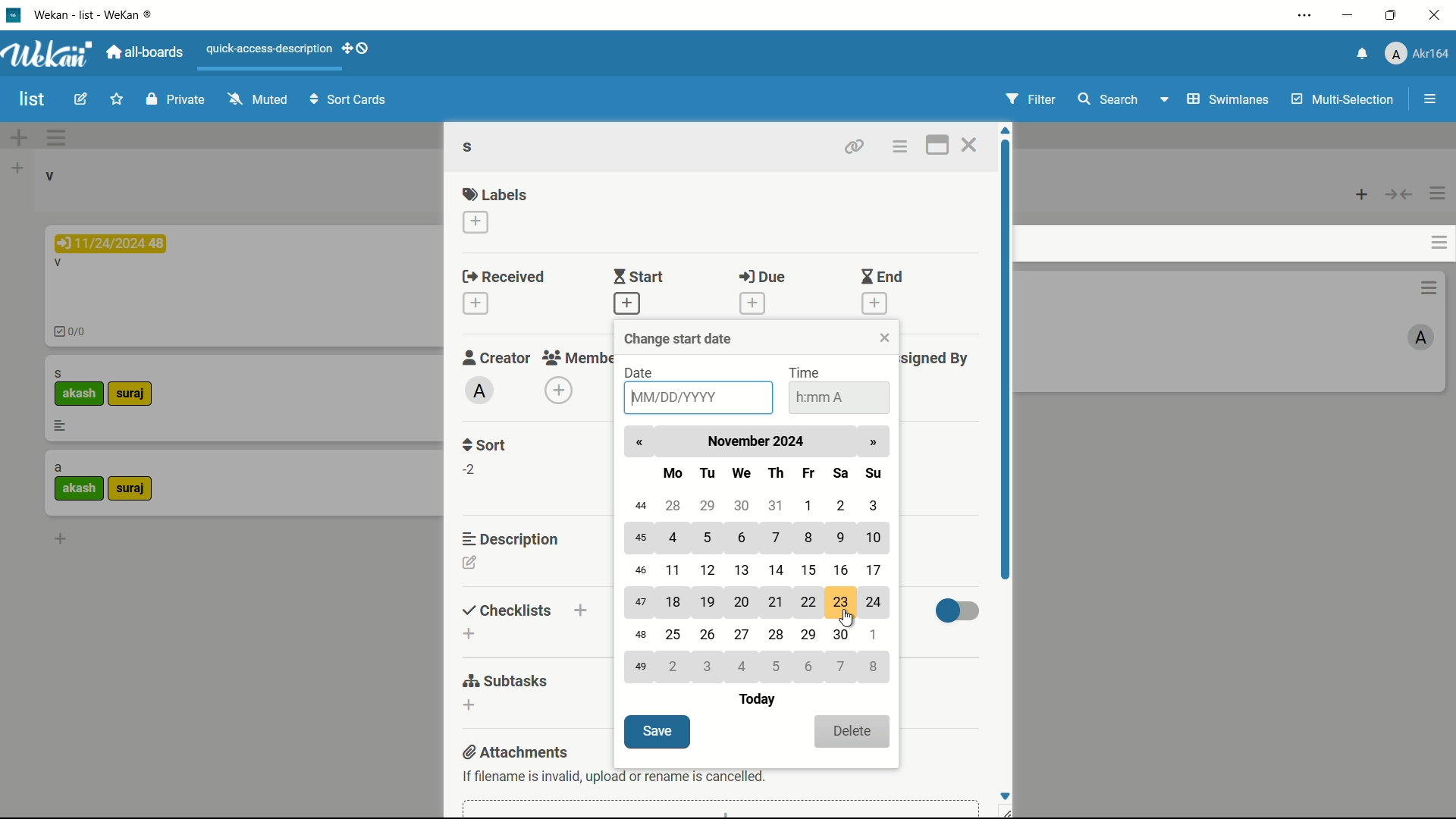  What do you see at coordinates (15, 15) in the screenshot?
I see `app icon` at bounding box center [15, 15].